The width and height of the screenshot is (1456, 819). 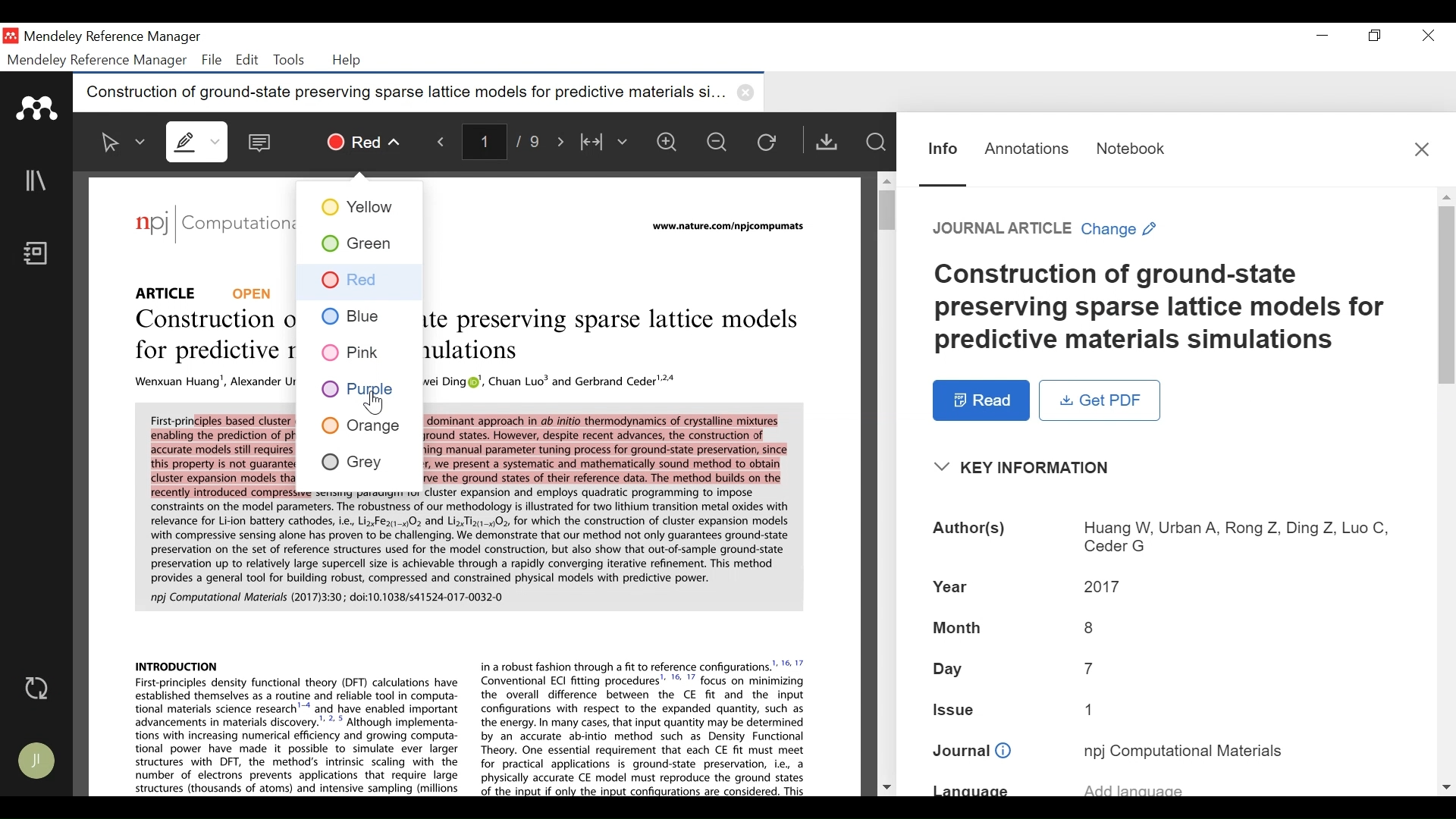 I want to click on Highlight text, so click(x=197, y=142).